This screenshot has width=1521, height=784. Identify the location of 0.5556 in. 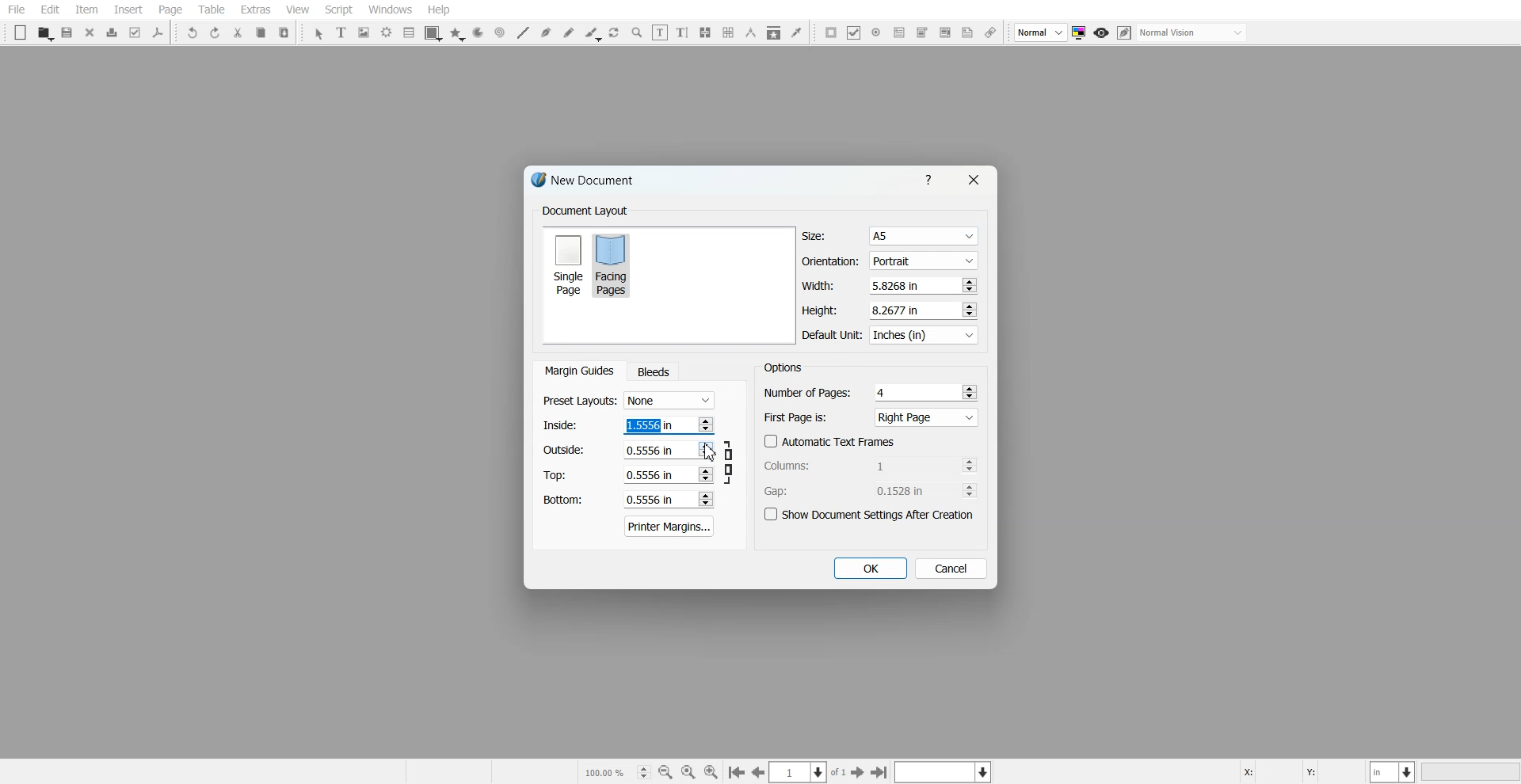
(647, 449).